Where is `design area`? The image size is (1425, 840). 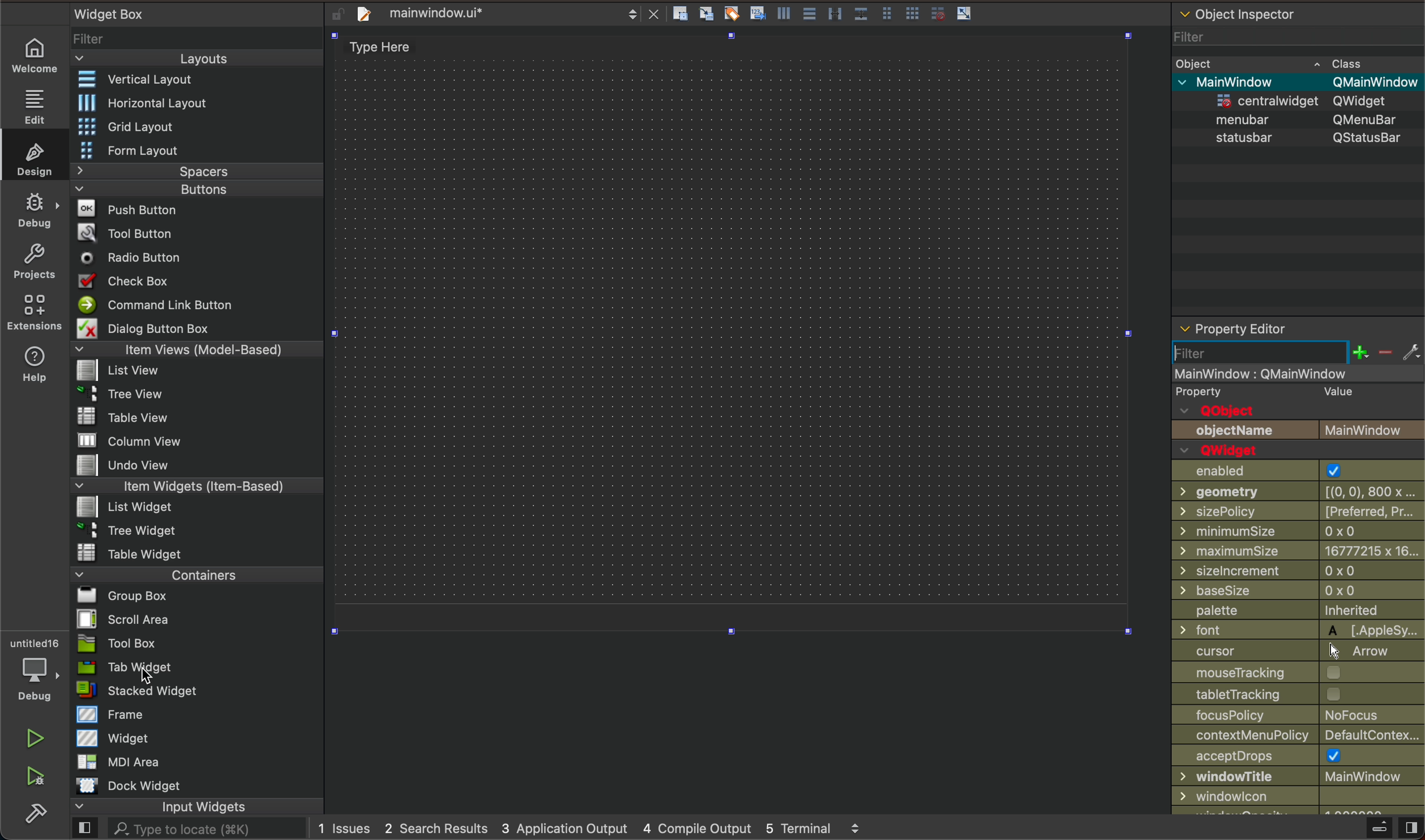 design area is located at coordinates (731, 332).